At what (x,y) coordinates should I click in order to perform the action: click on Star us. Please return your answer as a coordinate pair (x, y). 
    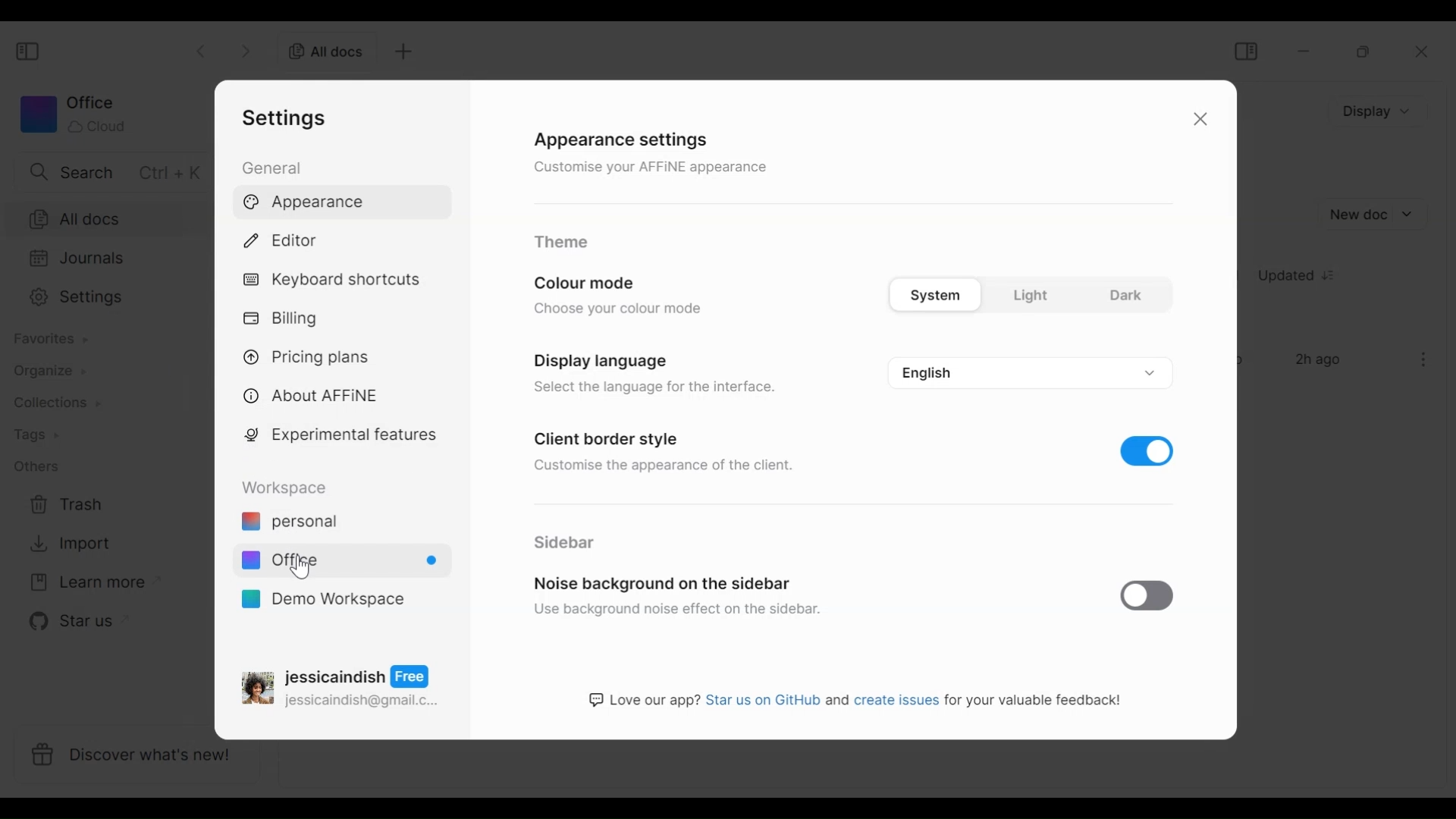
    Looking at the image, I should click on (69, 621).